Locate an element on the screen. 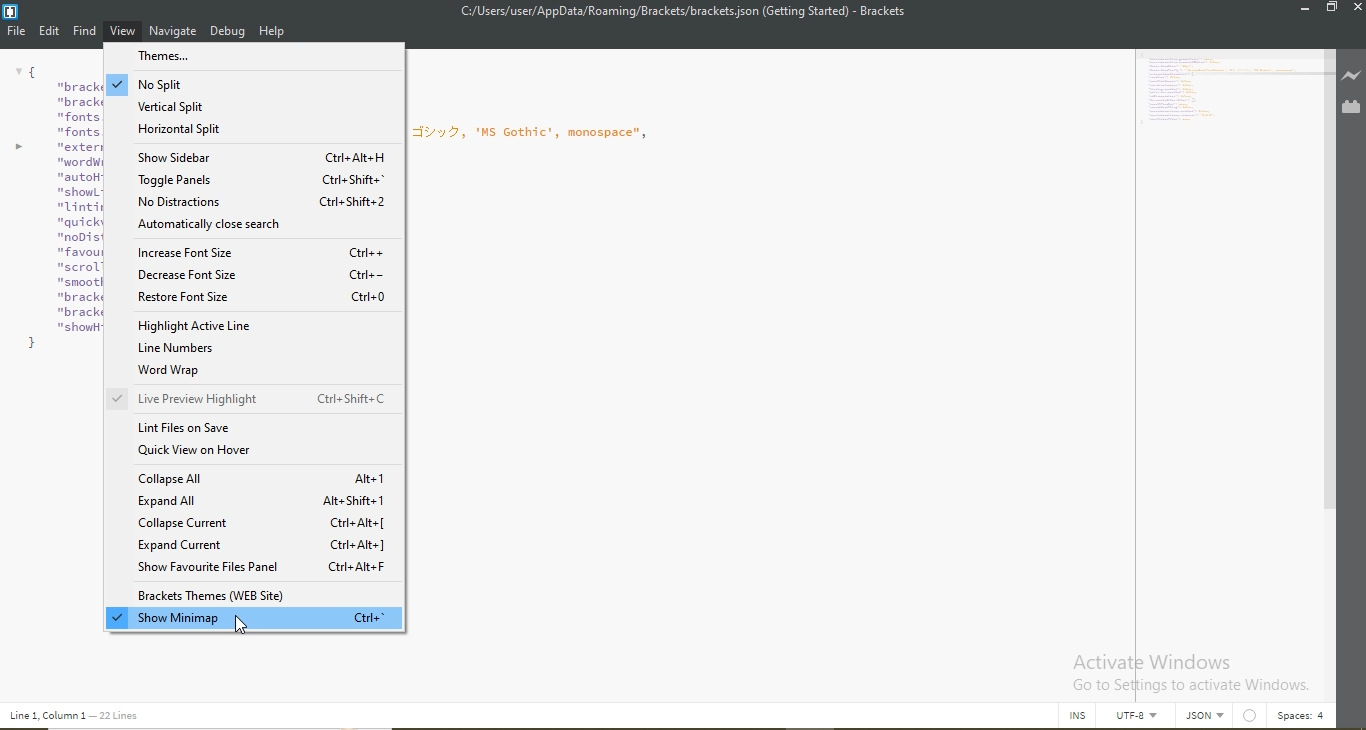 This screenshot has height=730, width=1366. no split is located at coordinates (256, 82).